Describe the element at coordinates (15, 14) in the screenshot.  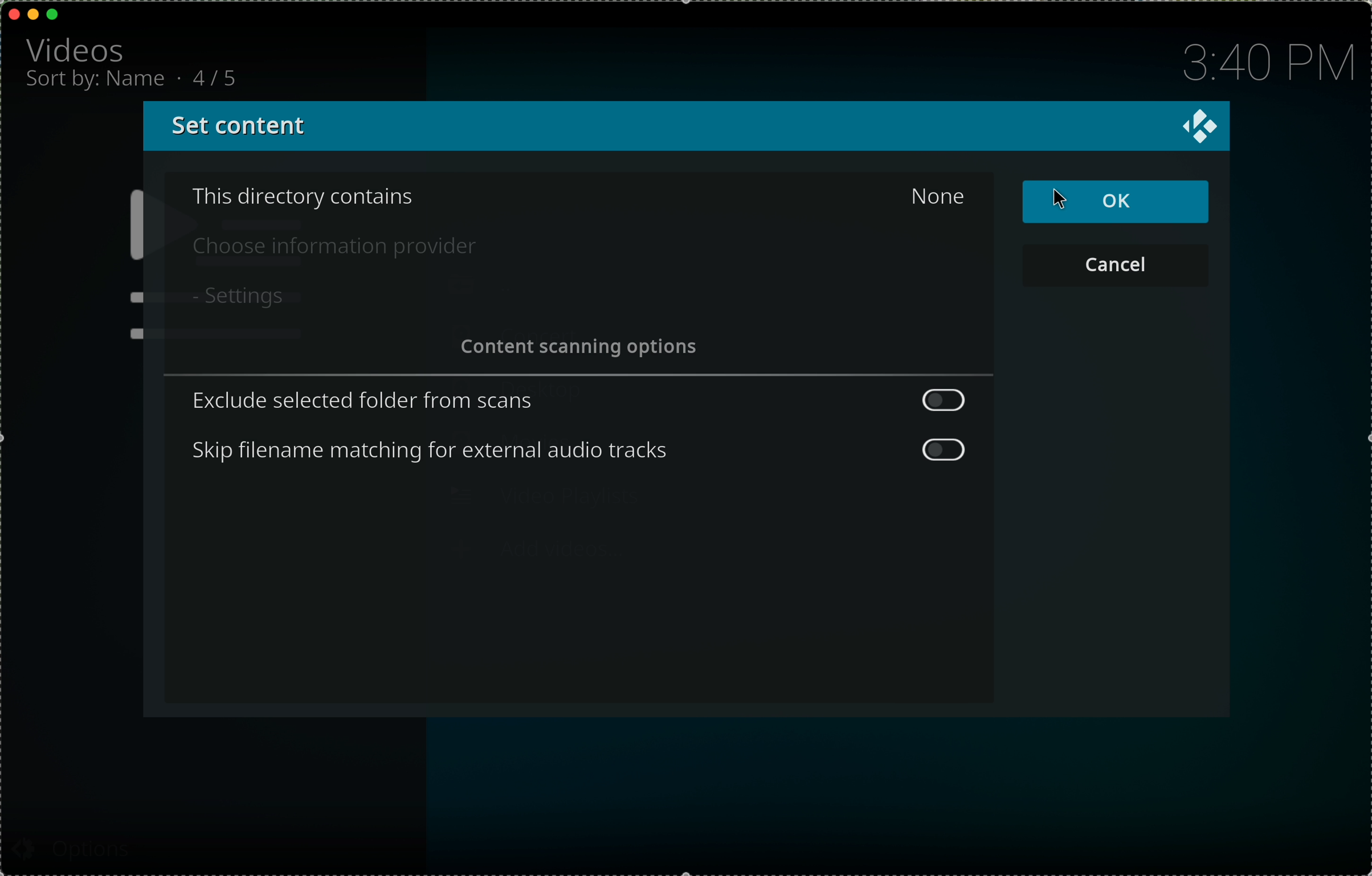
I see `close` at that location.